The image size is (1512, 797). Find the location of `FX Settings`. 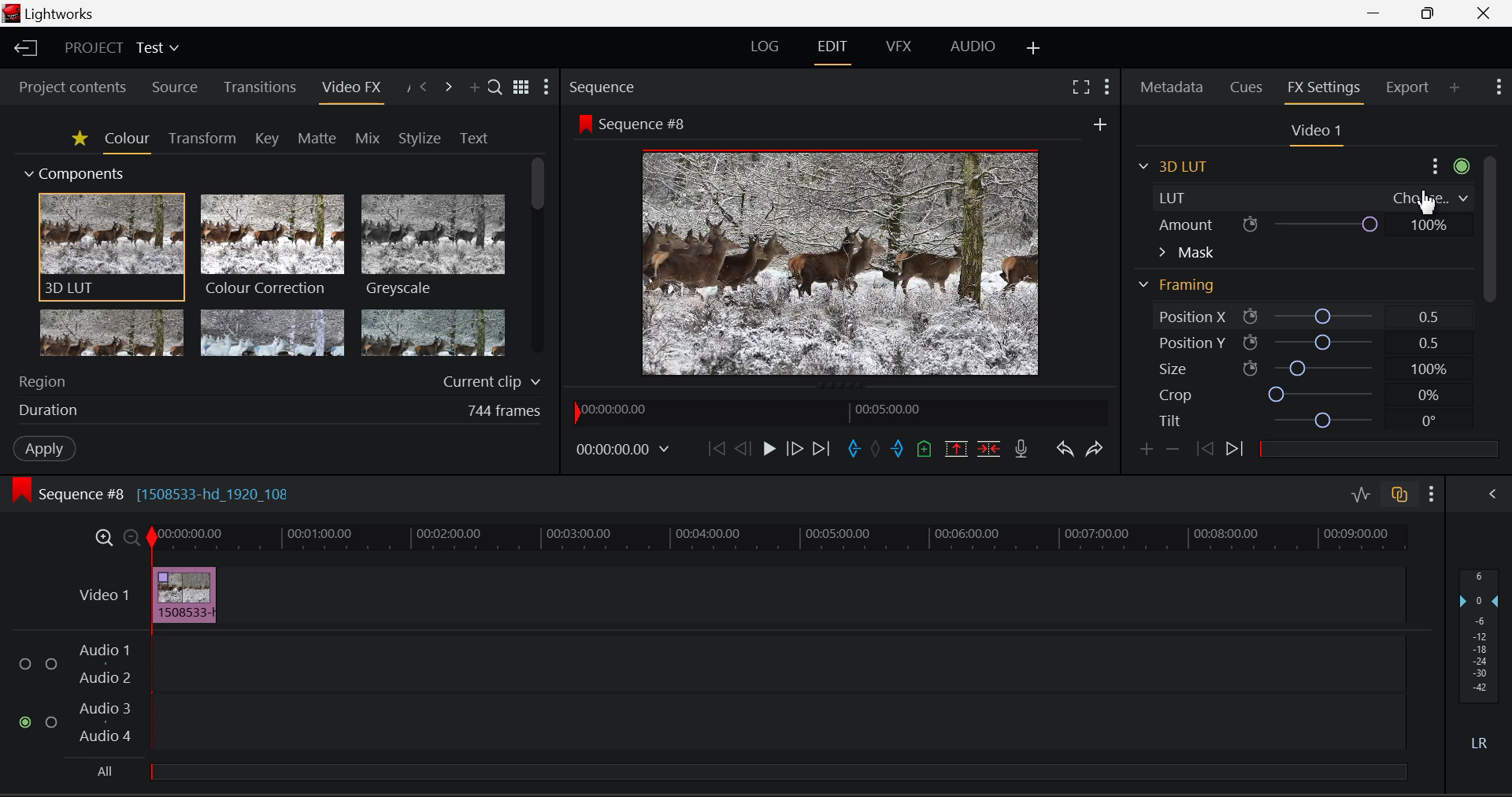

FX Settings is located at coordinates (1322, 91).